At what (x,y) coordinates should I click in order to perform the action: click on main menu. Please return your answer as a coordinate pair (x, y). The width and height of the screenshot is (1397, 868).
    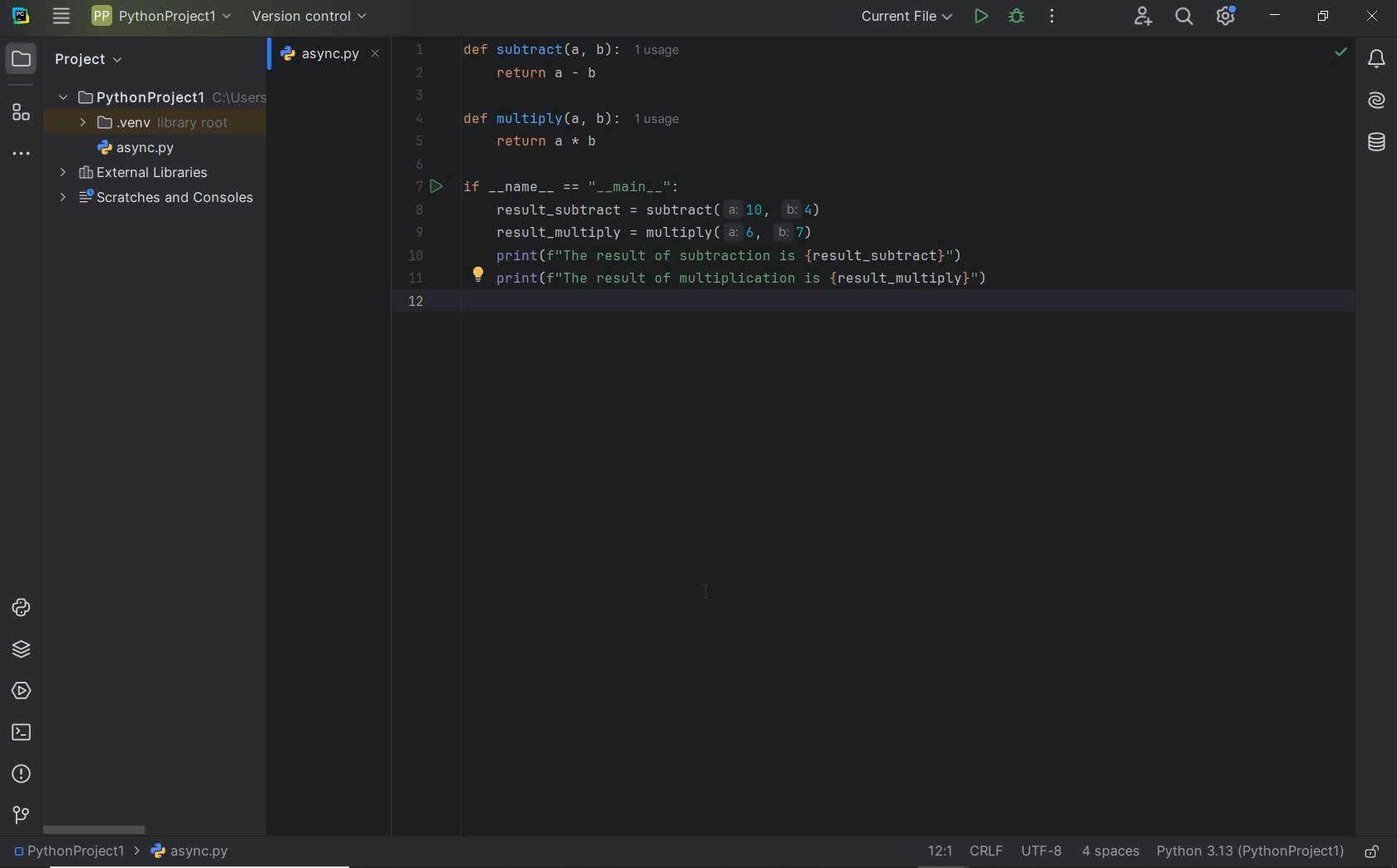
    Looking at the image, I should click on (61, 17).